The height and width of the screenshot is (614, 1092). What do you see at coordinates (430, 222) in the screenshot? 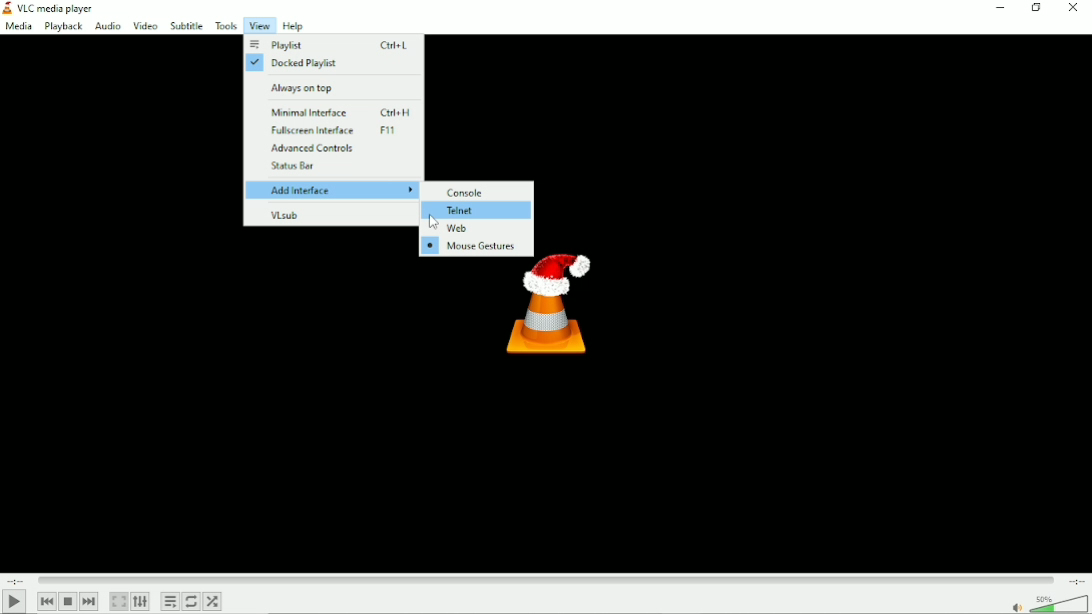
I see `Cursor` at bounding box center [430, 222].